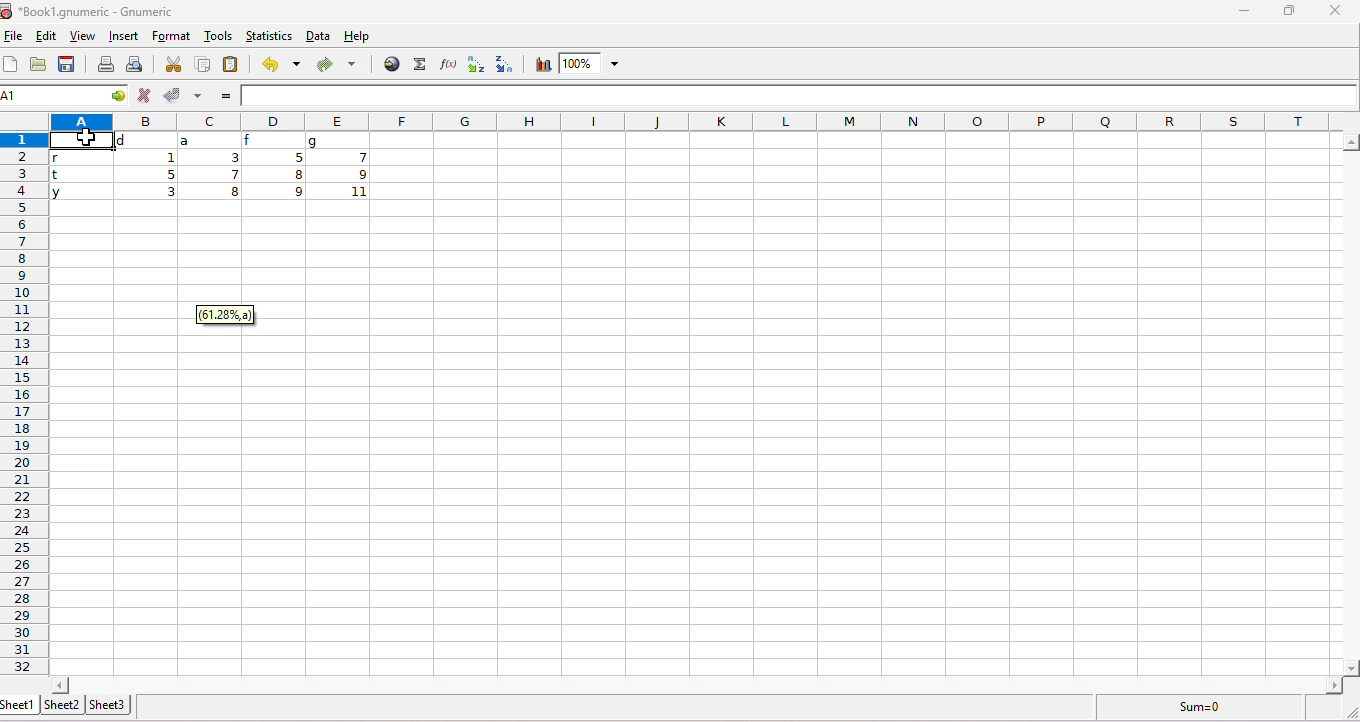  Describe the element at coordinates (61, 704) in the screenshot. I see `sheet2` at that location.